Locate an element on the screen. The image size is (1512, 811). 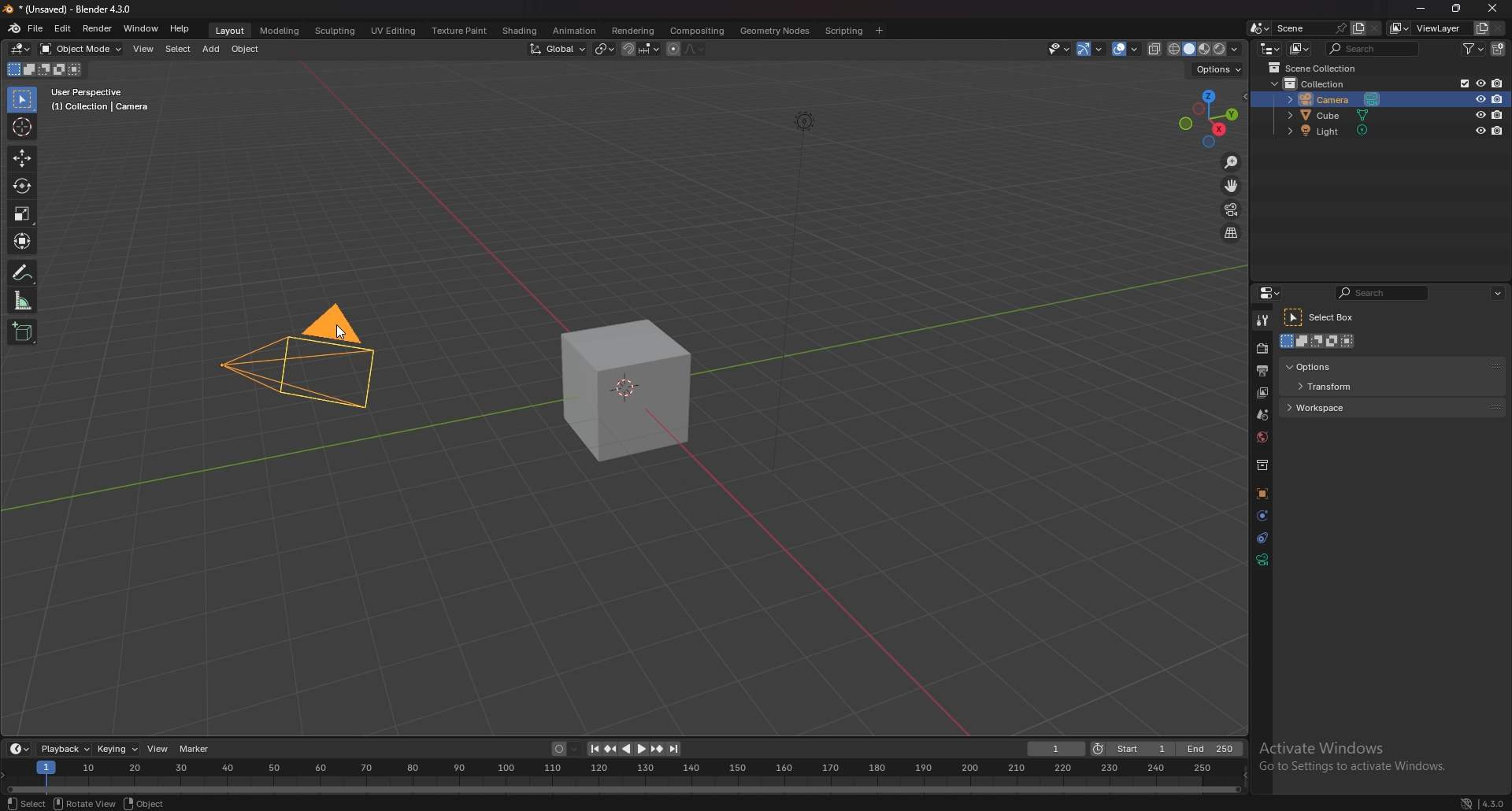
uv editing is located at coordinates (393, 31).